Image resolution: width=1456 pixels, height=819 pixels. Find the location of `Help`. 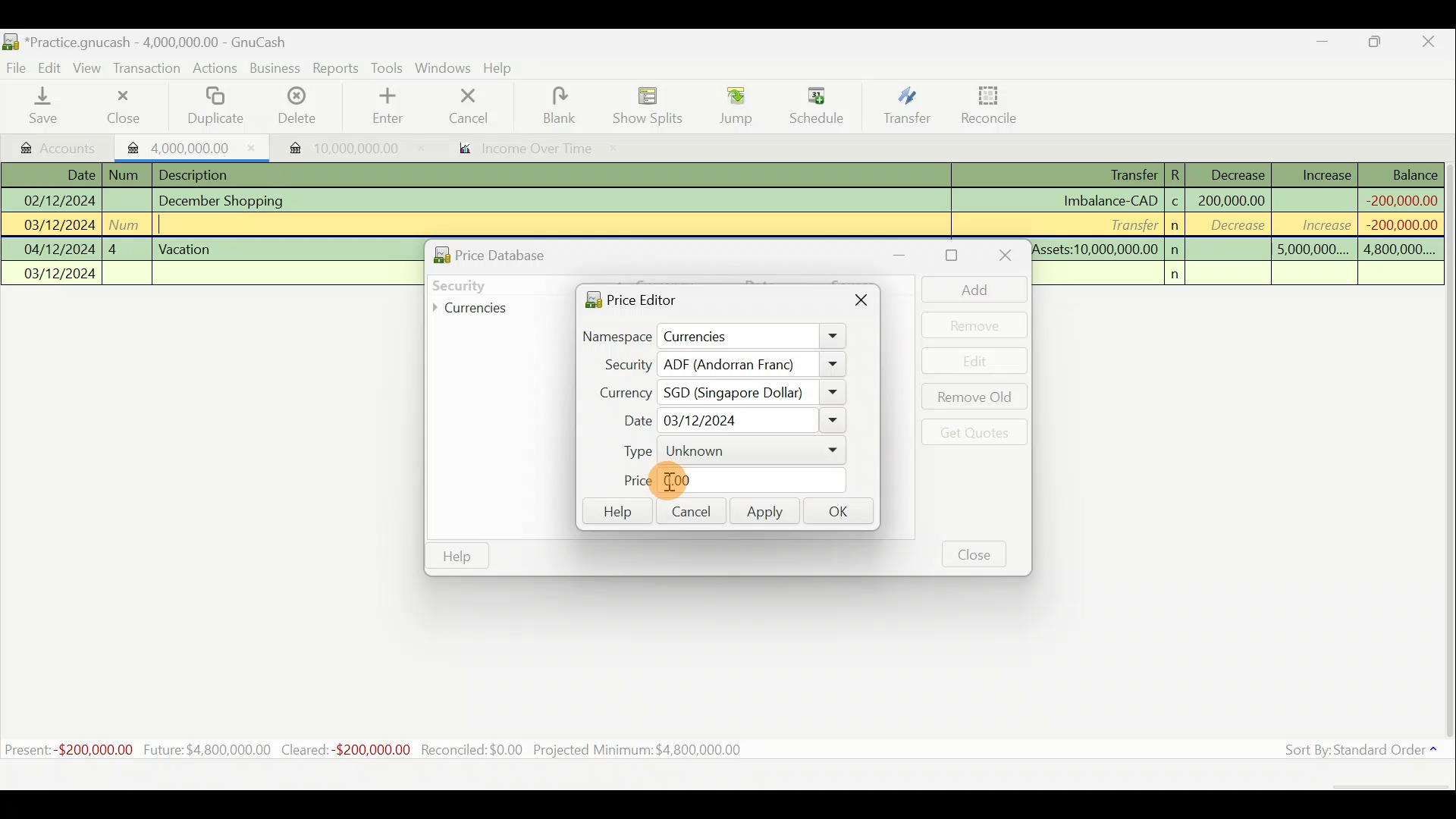

Help is located at coordinates (616, 512).